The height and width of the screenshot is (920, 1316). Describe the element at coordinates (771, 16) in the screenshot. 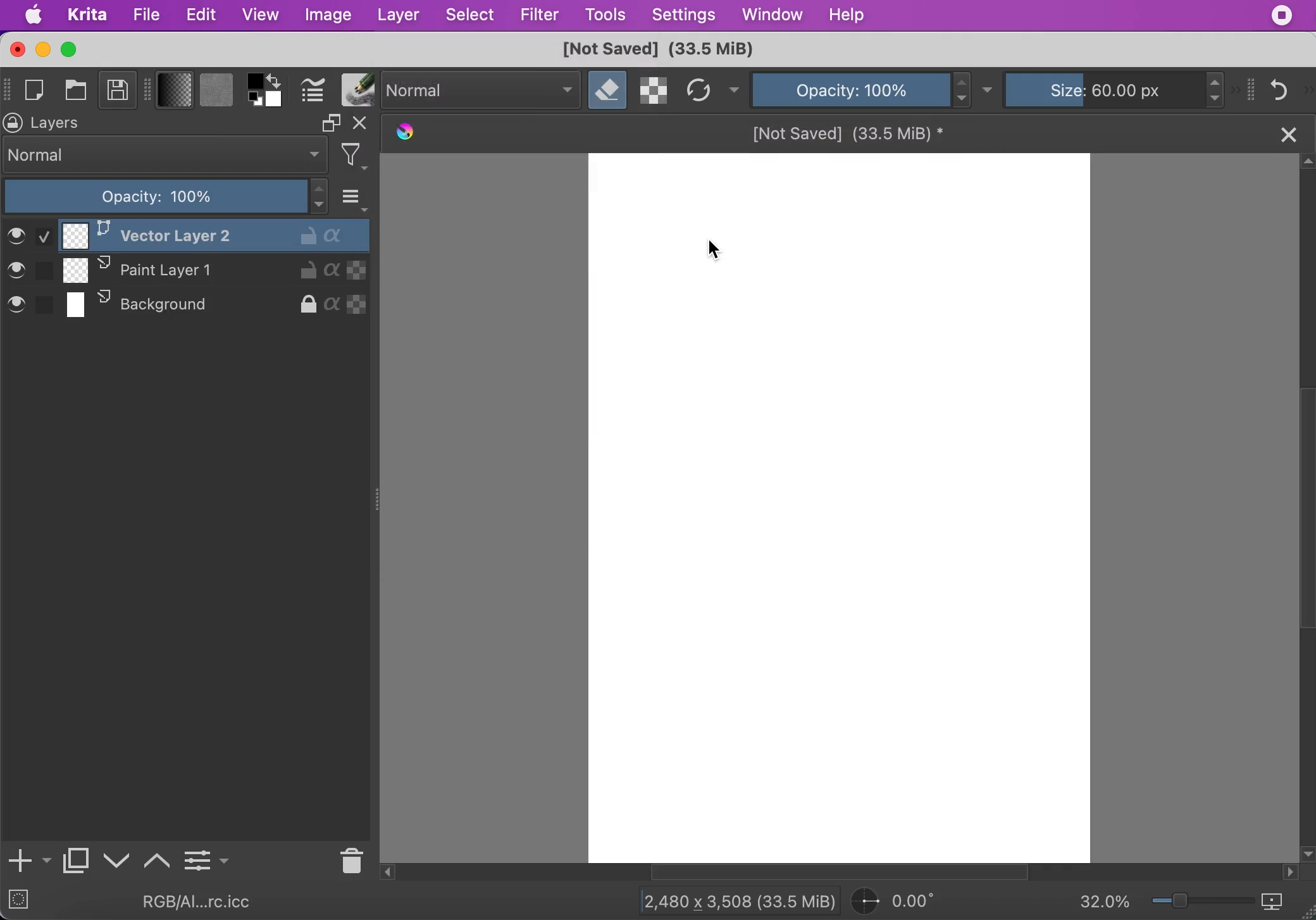

I see `window` at that location.